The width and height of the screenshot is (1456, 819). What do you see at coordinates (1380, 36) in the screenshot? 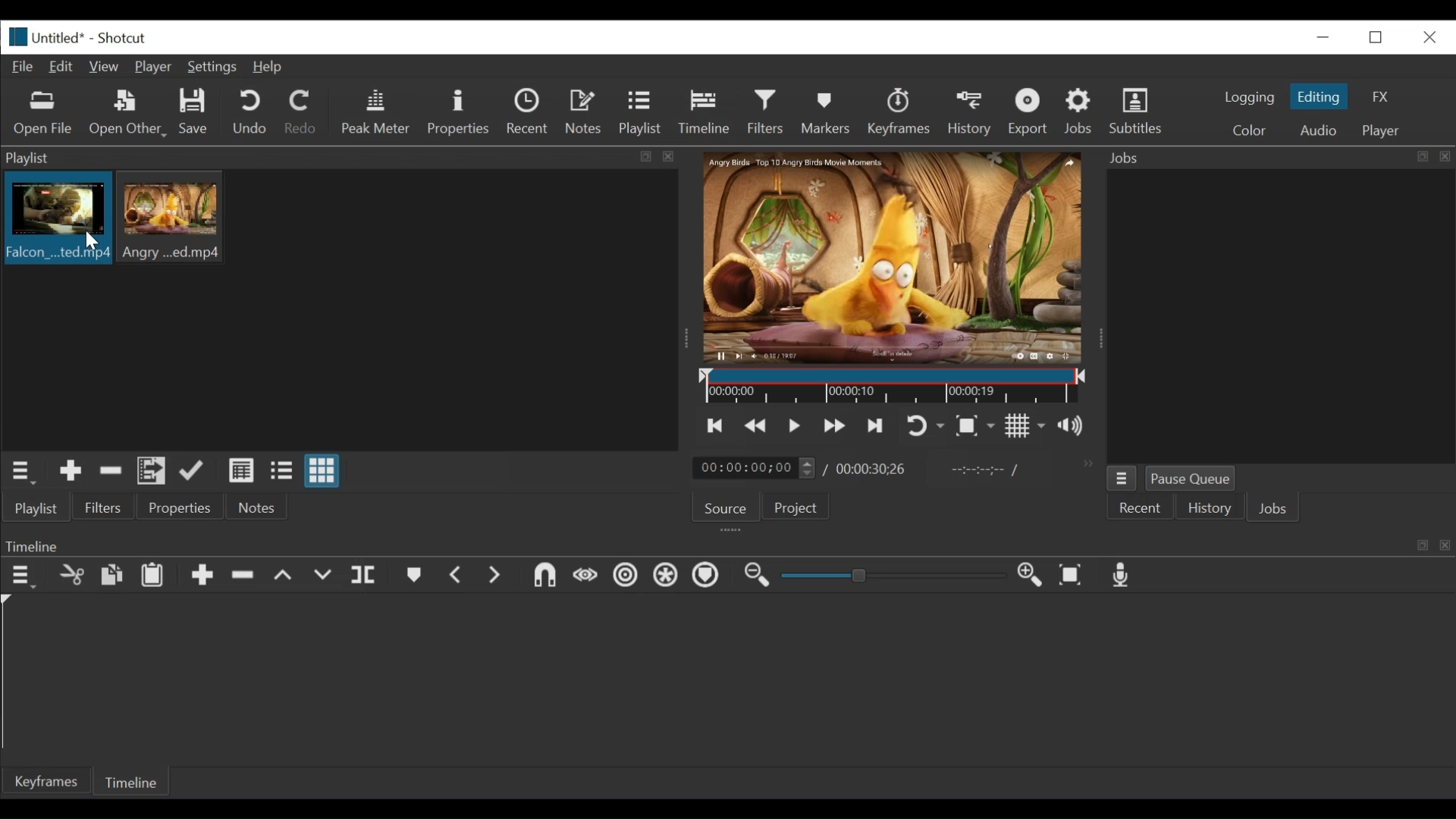
I see `restore` at bounding box center [1380, 36].